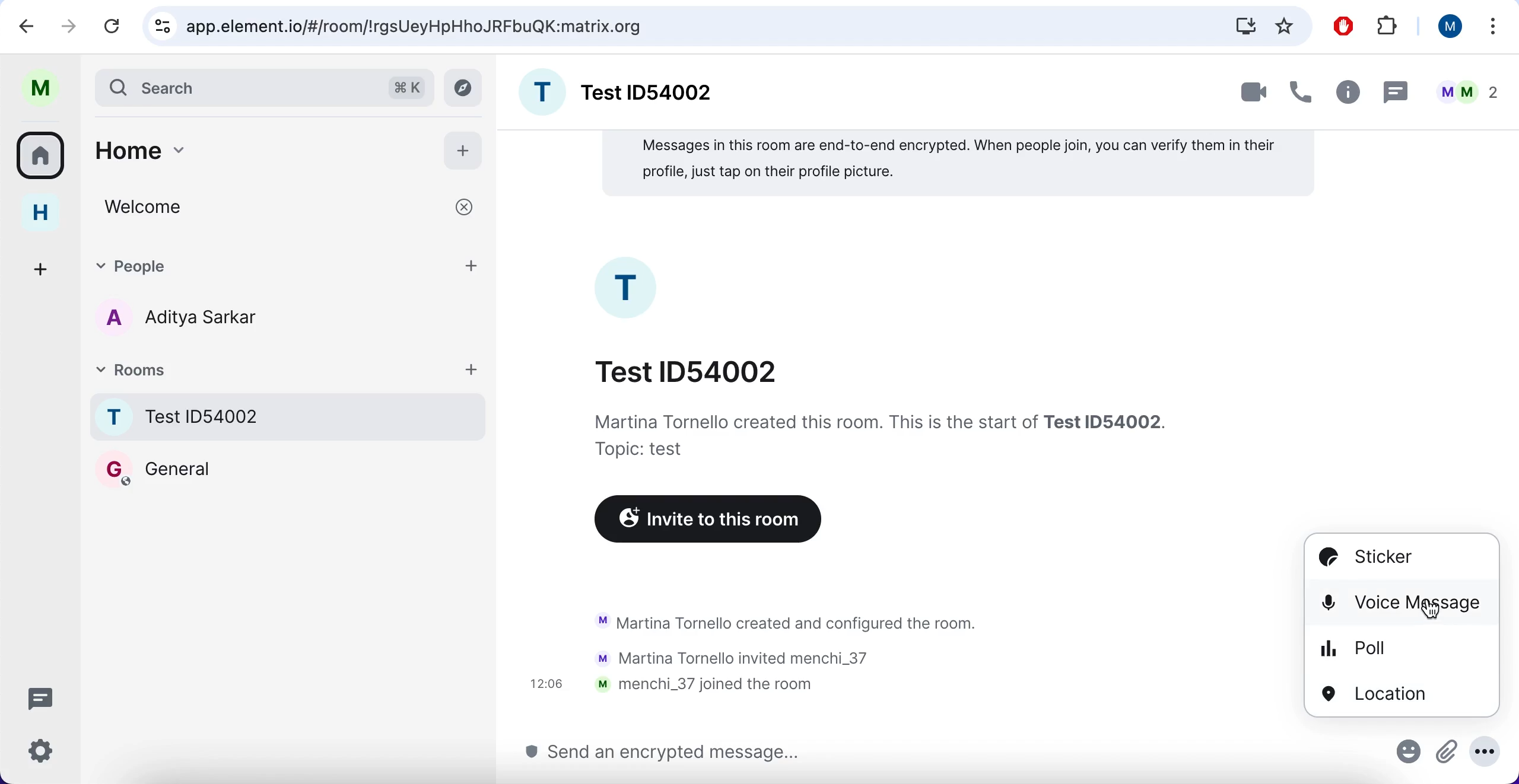 This screenshot has width=1519, height=784. Describe the element at coordinates (42, 160) in the screenshot. I see `all rooms` at that location.